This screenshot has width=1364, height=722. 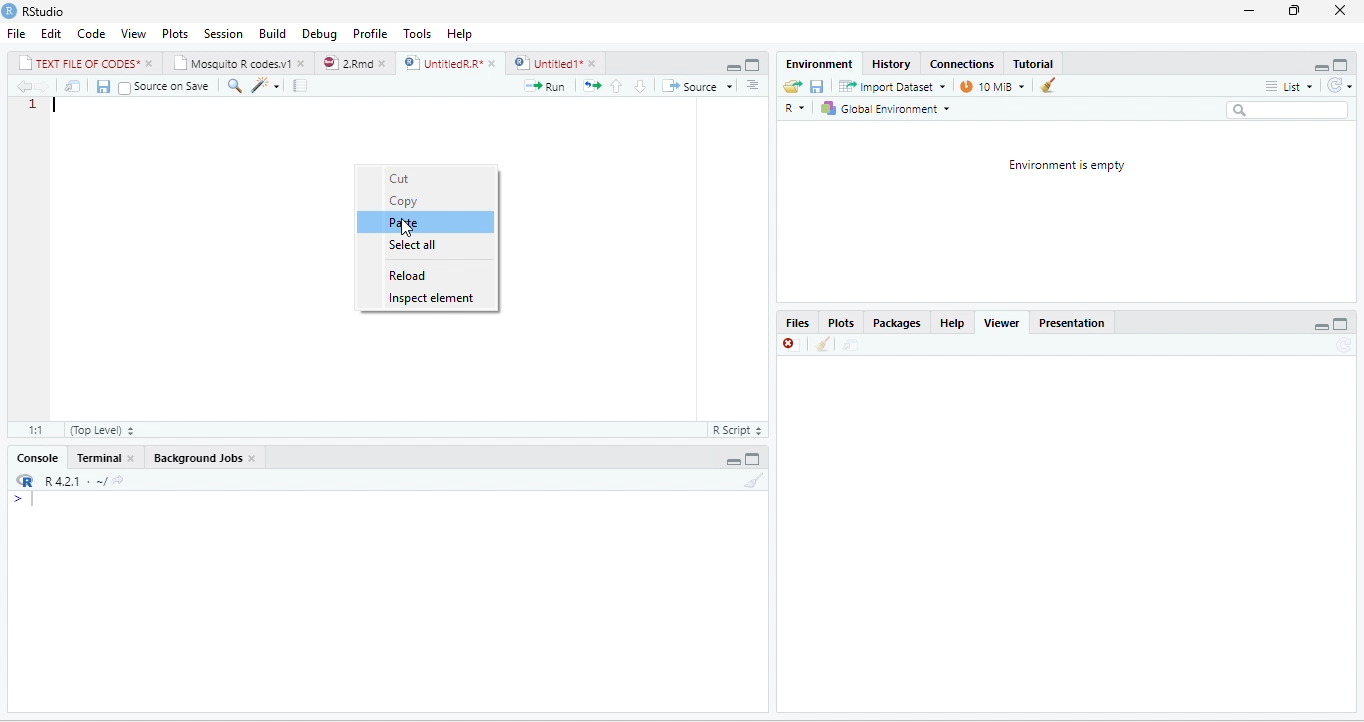 I want to click on next, so click(x=46, y=87).